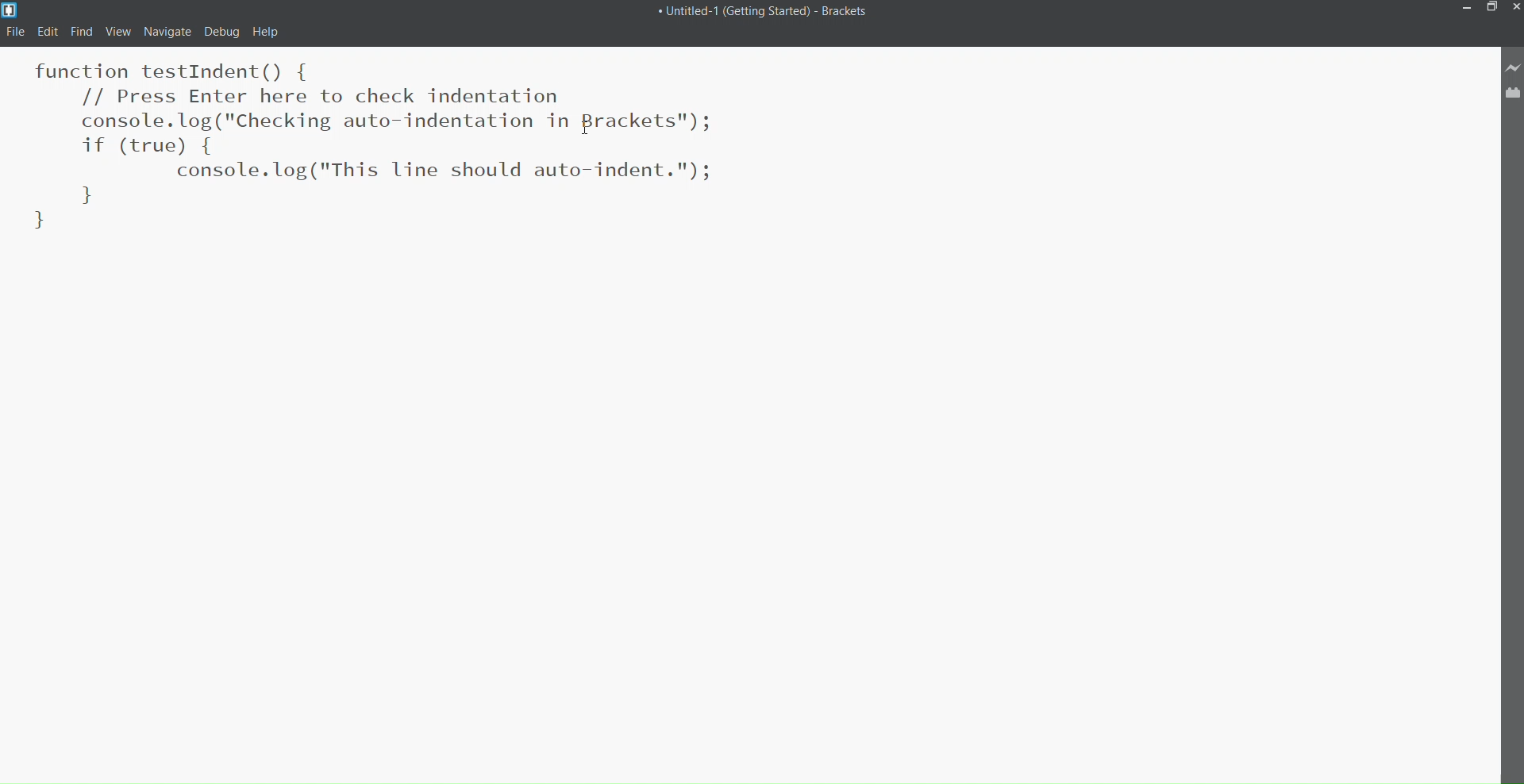  Describe the element at coordinates (79, 31) in the screenshot. I see `Find` at that location.